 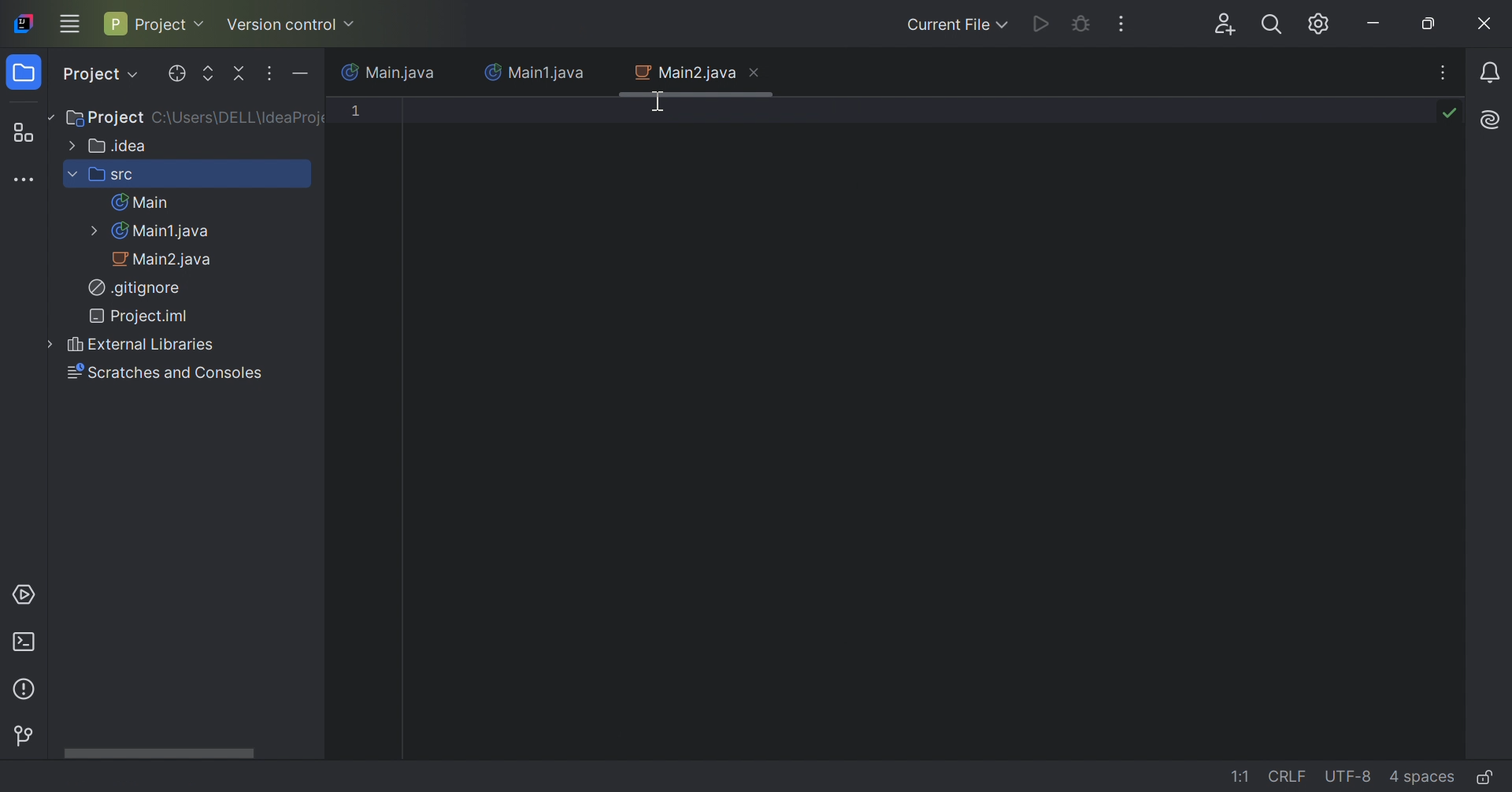 What do you see at coordinates (108, 146) in the screenshot?
I see `.idea` at bounding box center [108, 146].